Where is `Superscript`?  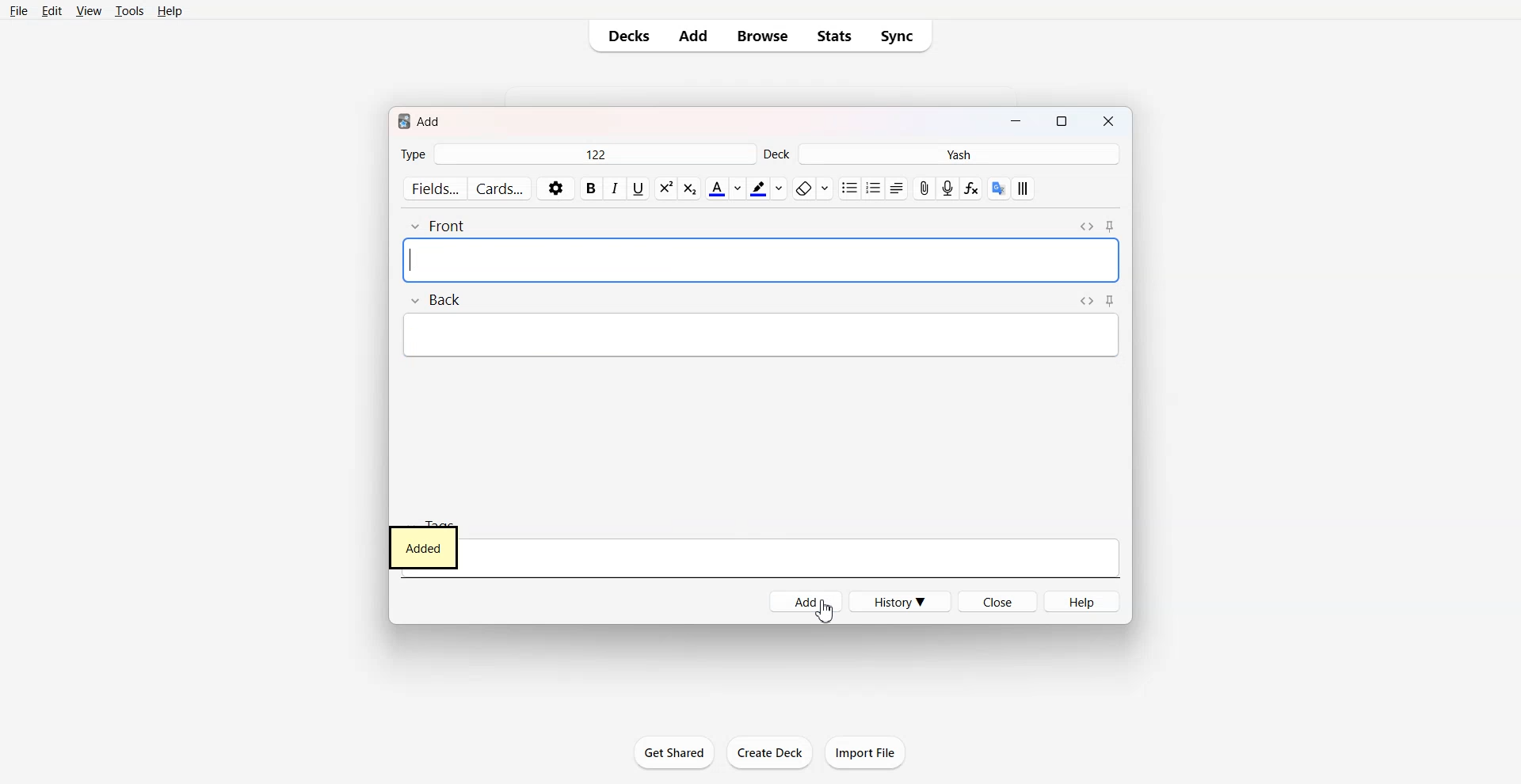
Superscript is located at coordinates (689, 188).